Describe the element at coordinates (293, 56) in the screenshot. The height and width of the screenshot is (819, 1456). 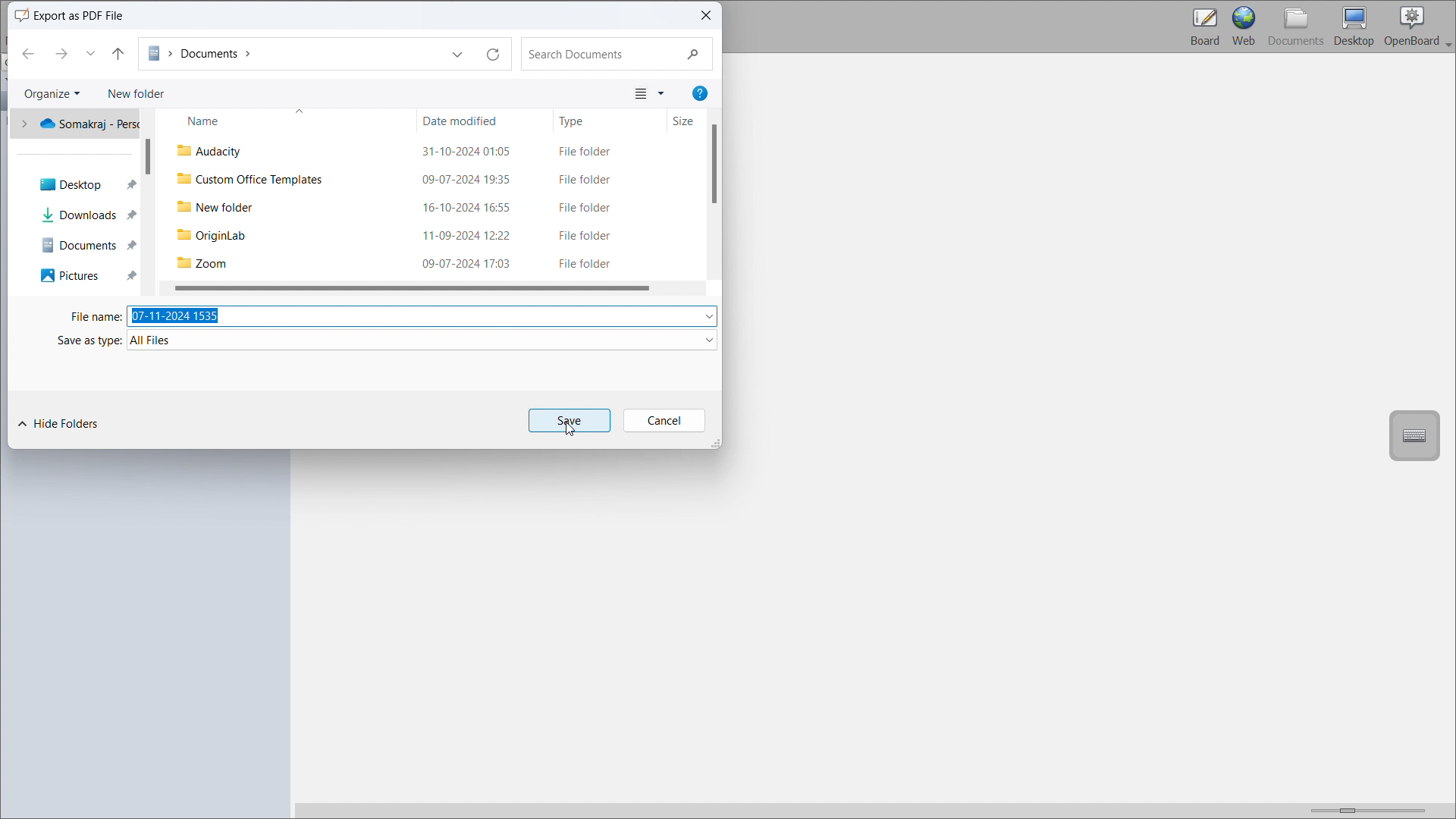
I see `Documents(folder)` at that location.